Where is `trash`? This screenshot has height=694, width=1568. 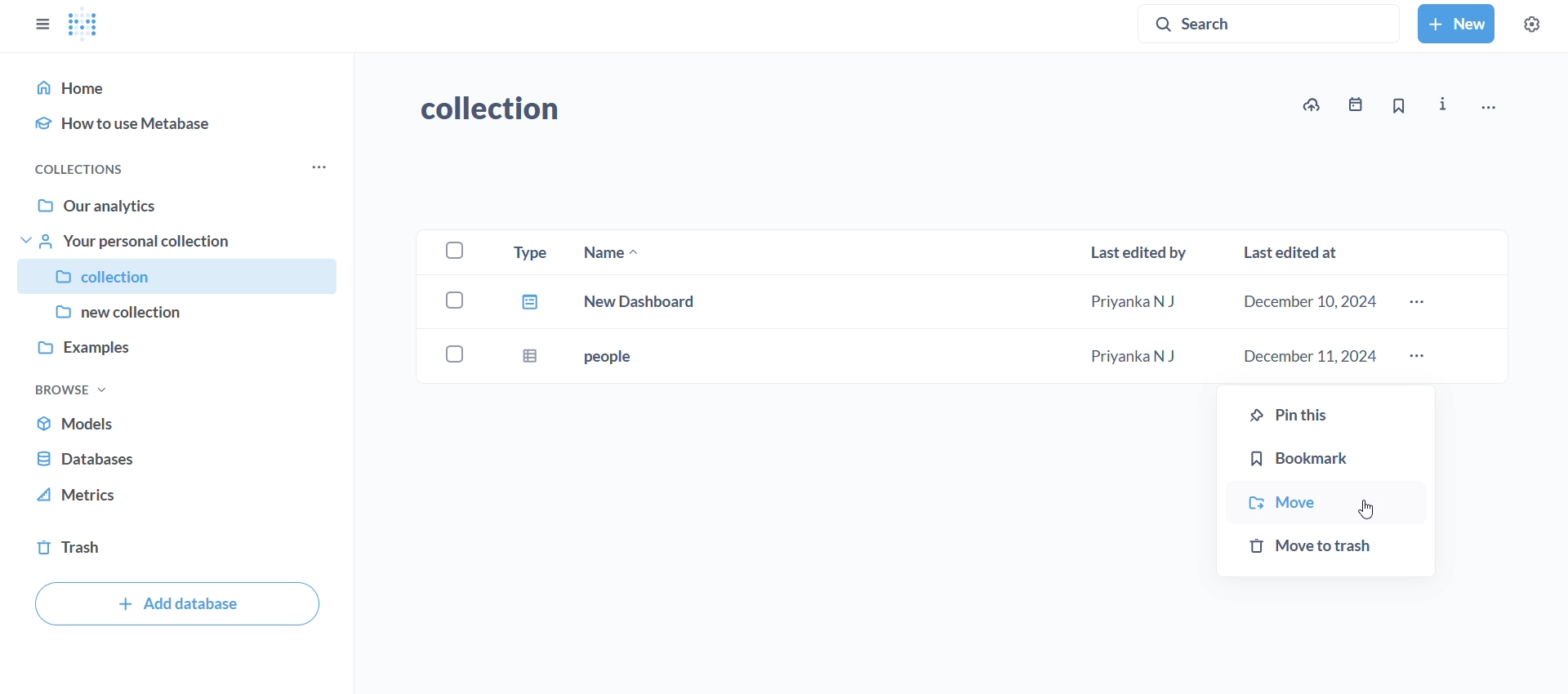 trash is located at coordinates (182, 547).